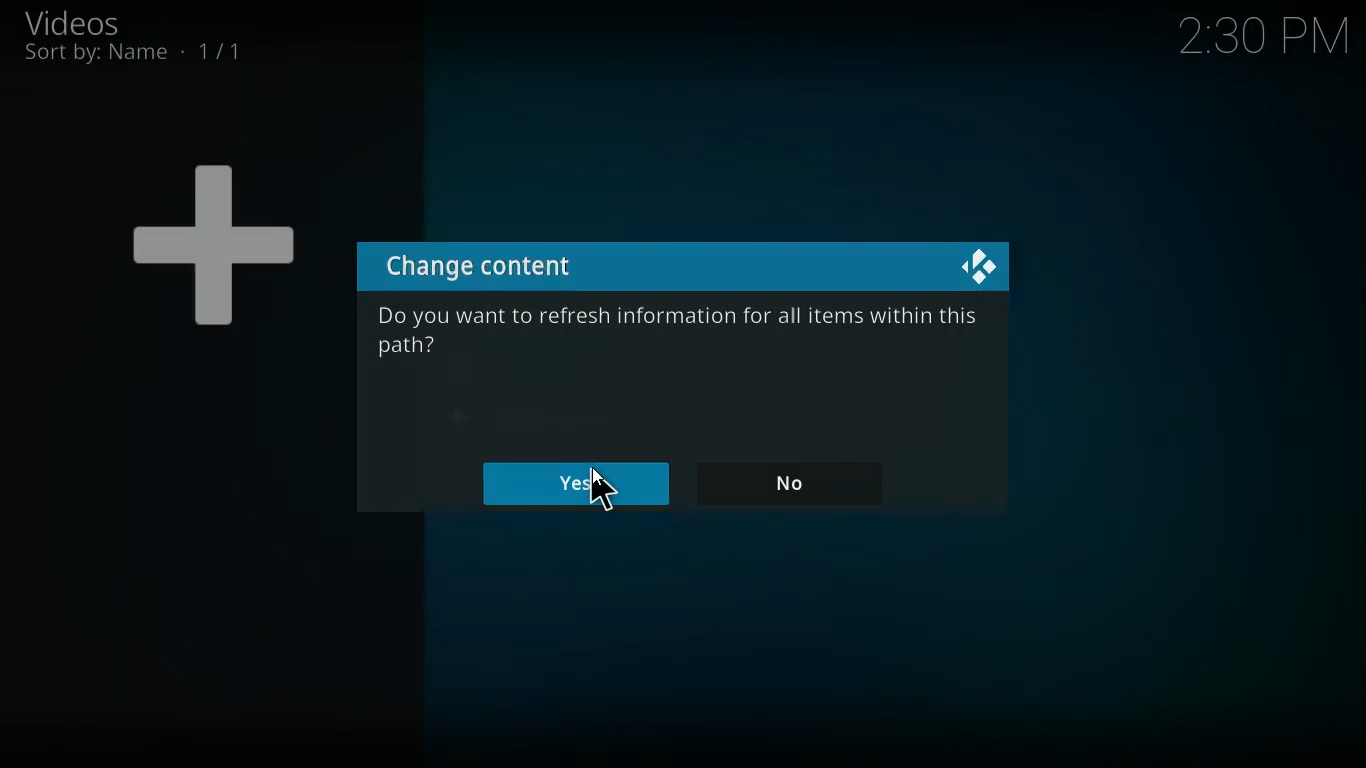 Image resolution: width=1366 pixels, height=768 pixels. I want to click on  +, so click(217, 237).